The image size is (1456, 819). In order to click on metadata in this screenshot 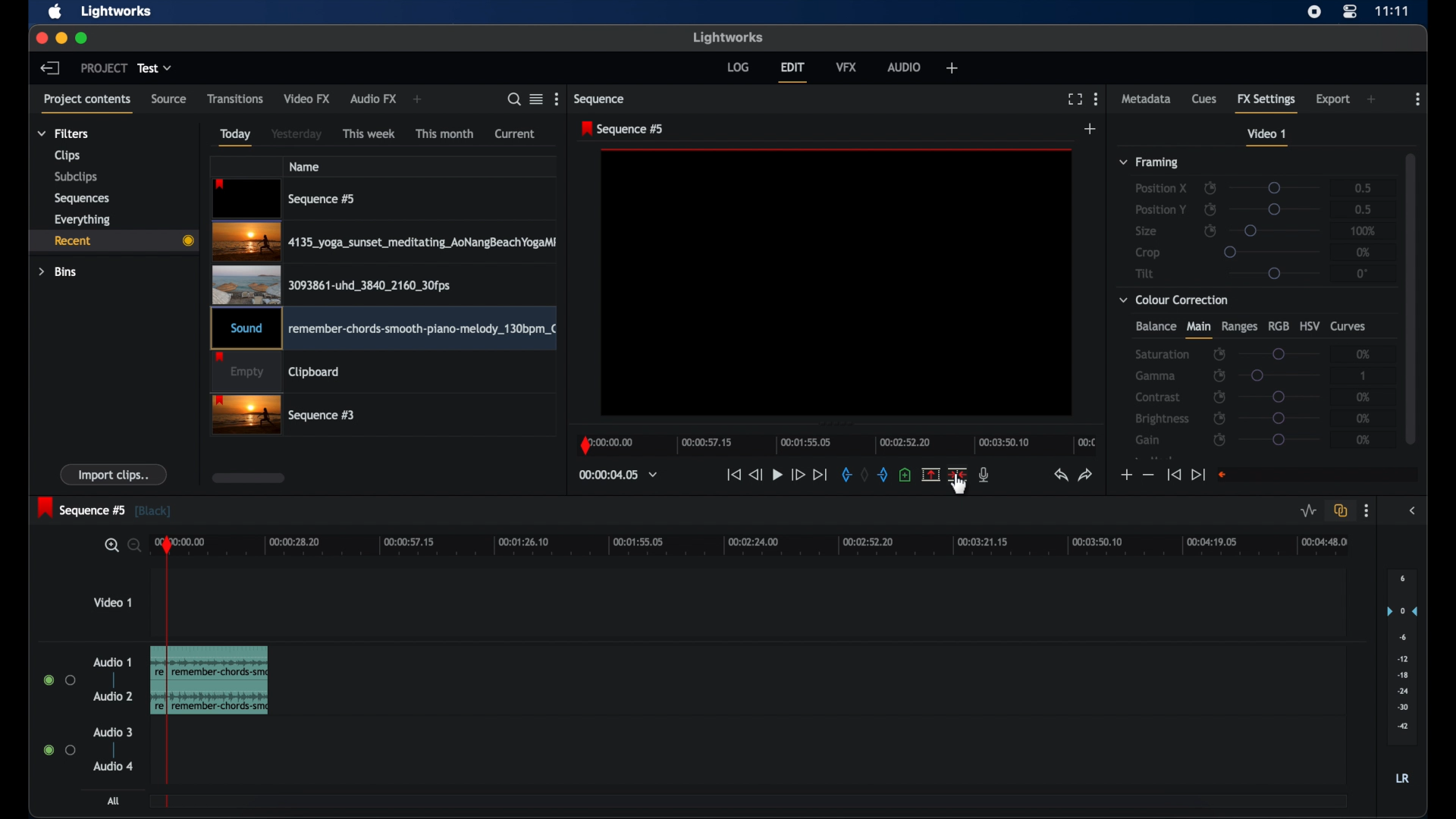, I will do `click(1147, 98)`.